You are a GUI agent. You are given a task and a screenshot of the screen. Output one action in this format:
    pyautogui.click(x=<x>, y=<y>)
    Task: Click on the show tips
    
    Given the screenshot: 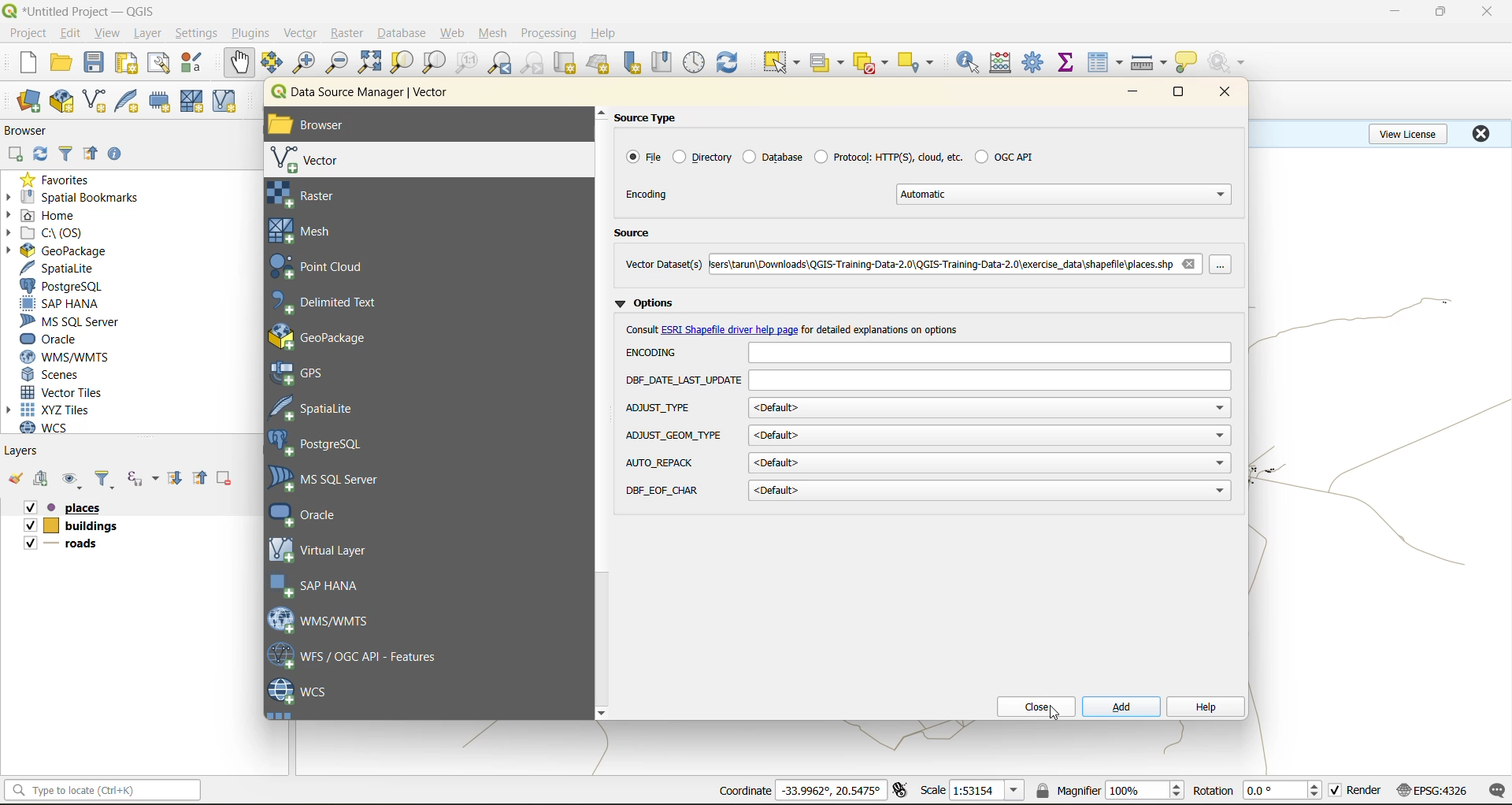 What is the action you would take?
    pyautogui.click(x=1187, y=63)
    